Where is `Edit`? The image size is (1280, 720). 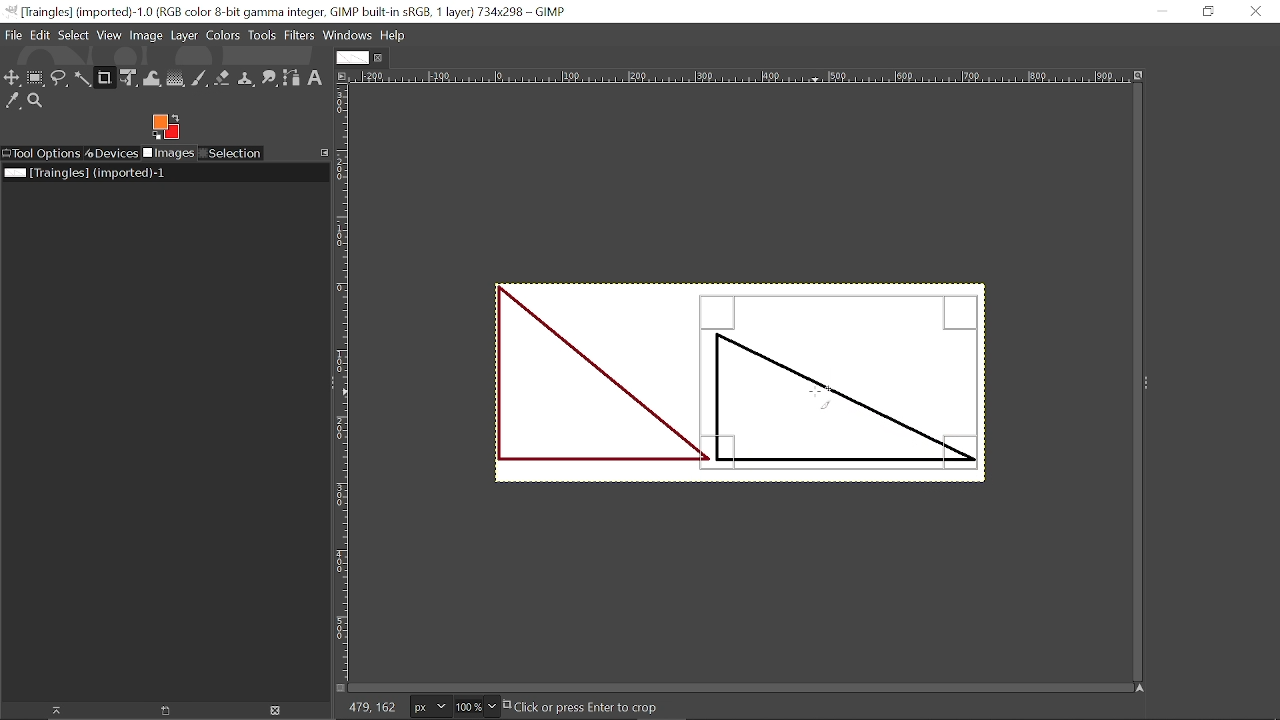 Edit is located at coordinates (42, 36).